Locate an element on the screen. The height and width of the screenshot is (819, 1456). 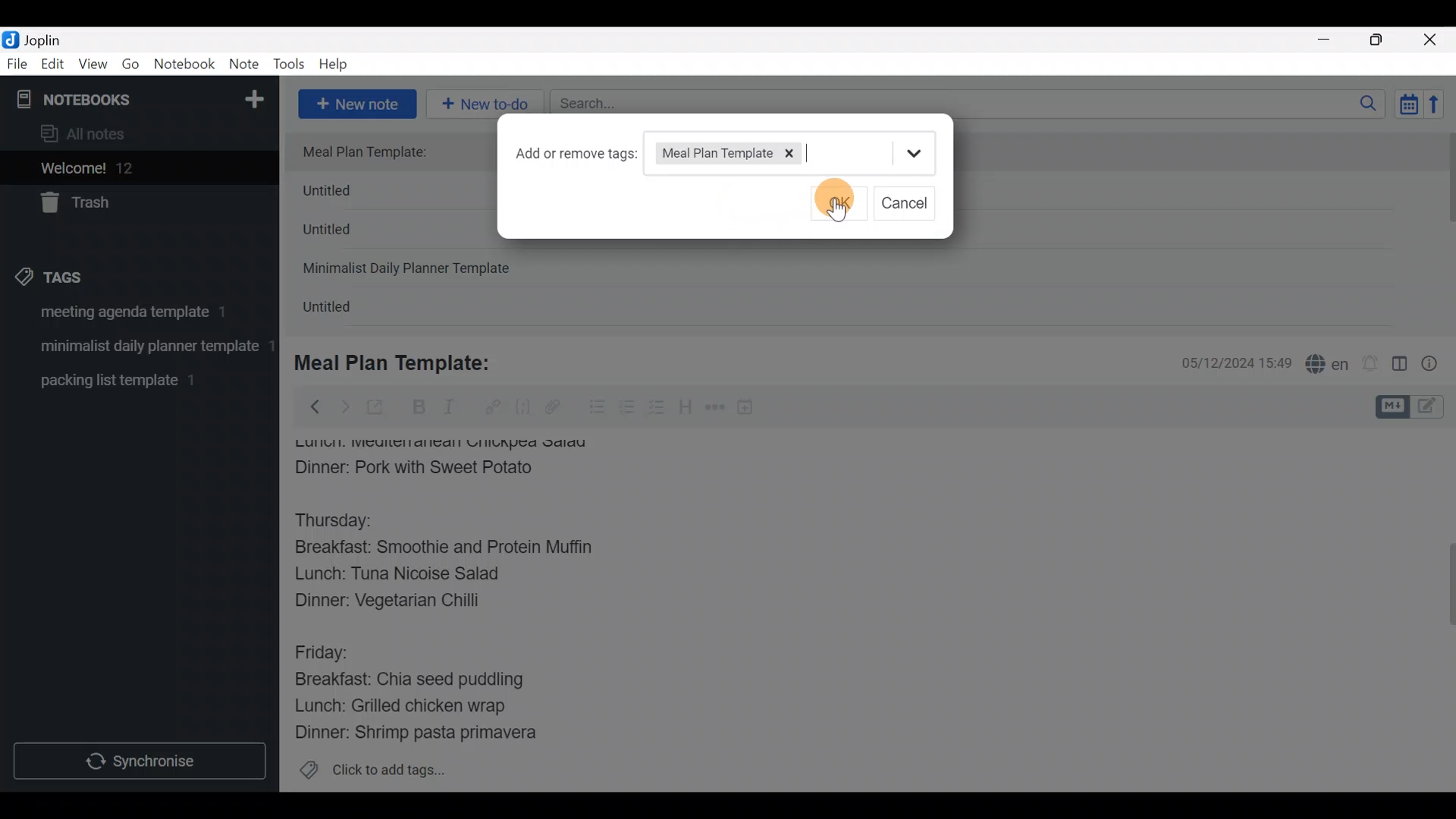
Minimize is located at coordinates (1332, 38).